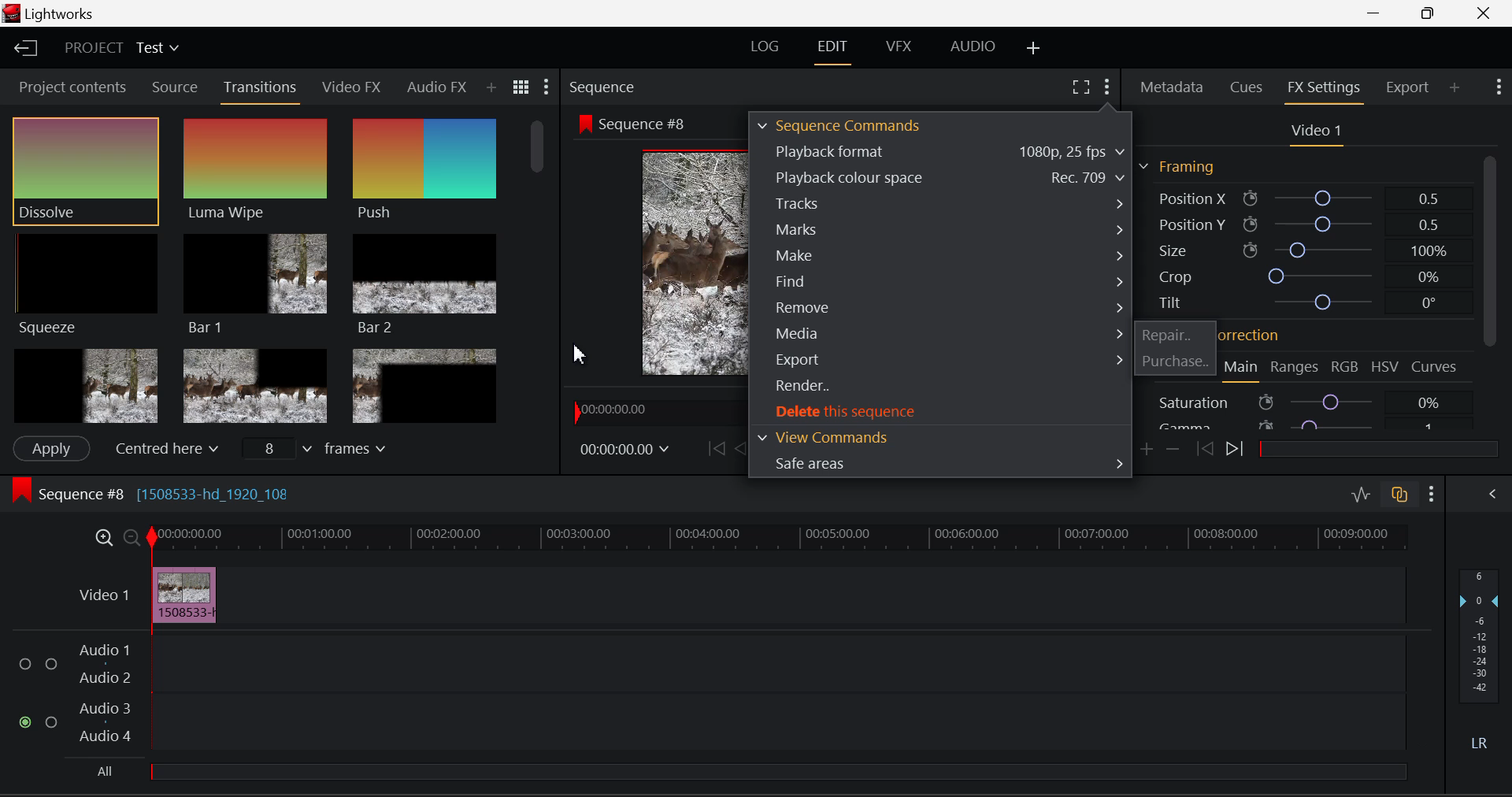  I want to click on Clip Inserted in Video Layer, so click(738, 594).